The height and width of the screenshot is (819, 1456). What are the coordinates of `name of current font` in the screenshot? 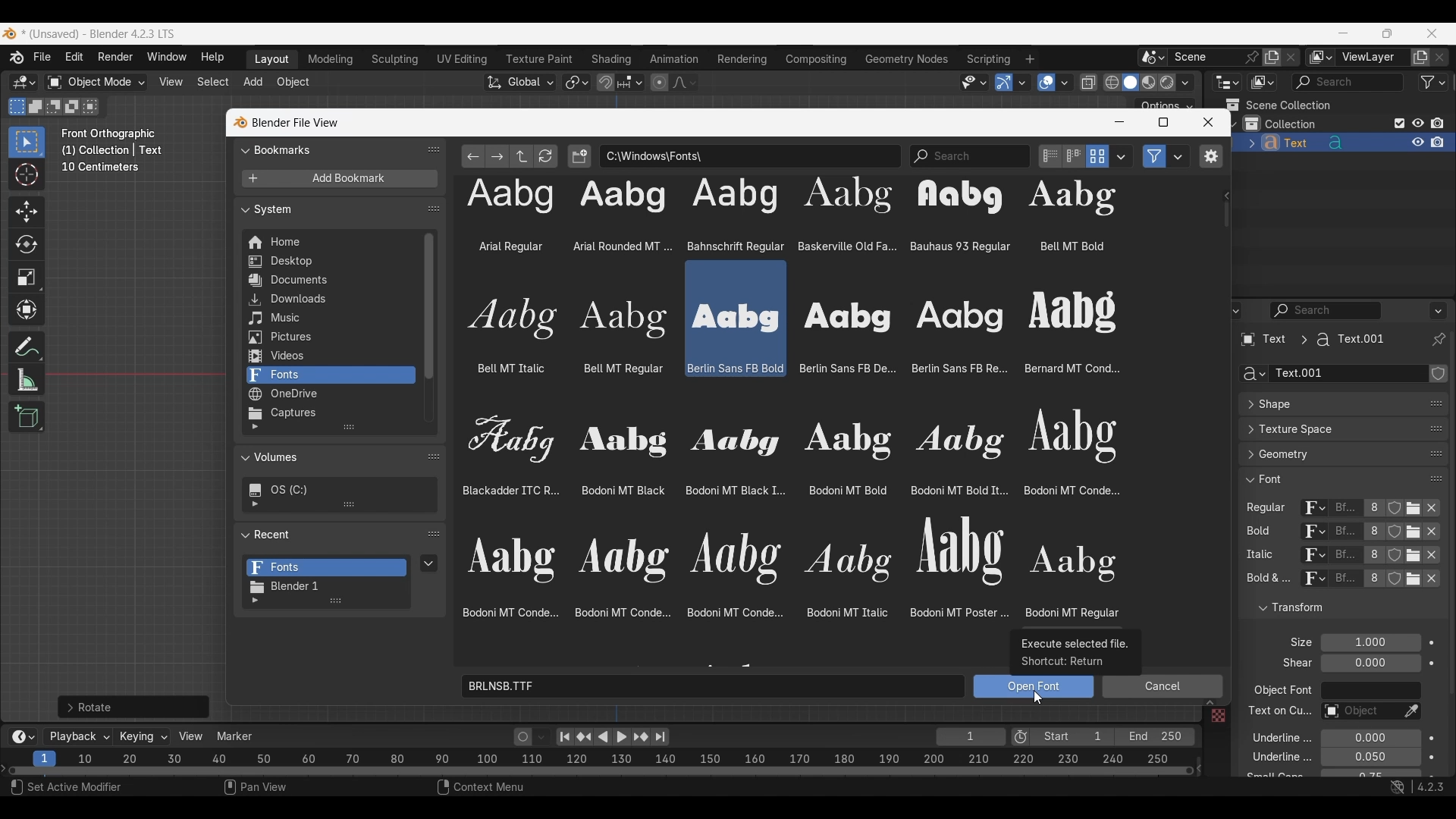 It's located at (1345, 584).